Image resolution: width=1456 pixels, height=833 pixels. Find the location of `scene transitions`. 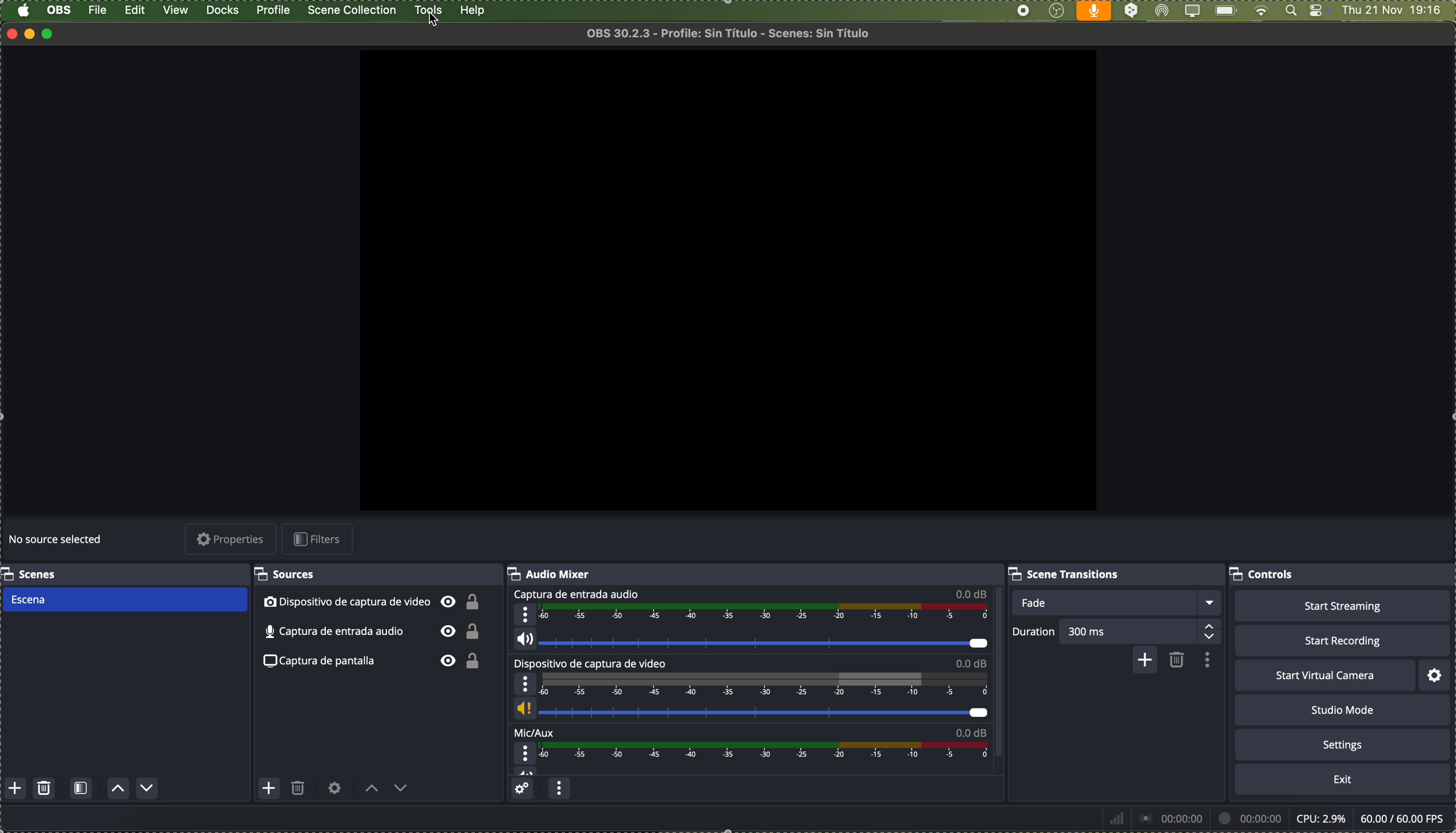

scene transitions is located at coordinates (1067, 573).